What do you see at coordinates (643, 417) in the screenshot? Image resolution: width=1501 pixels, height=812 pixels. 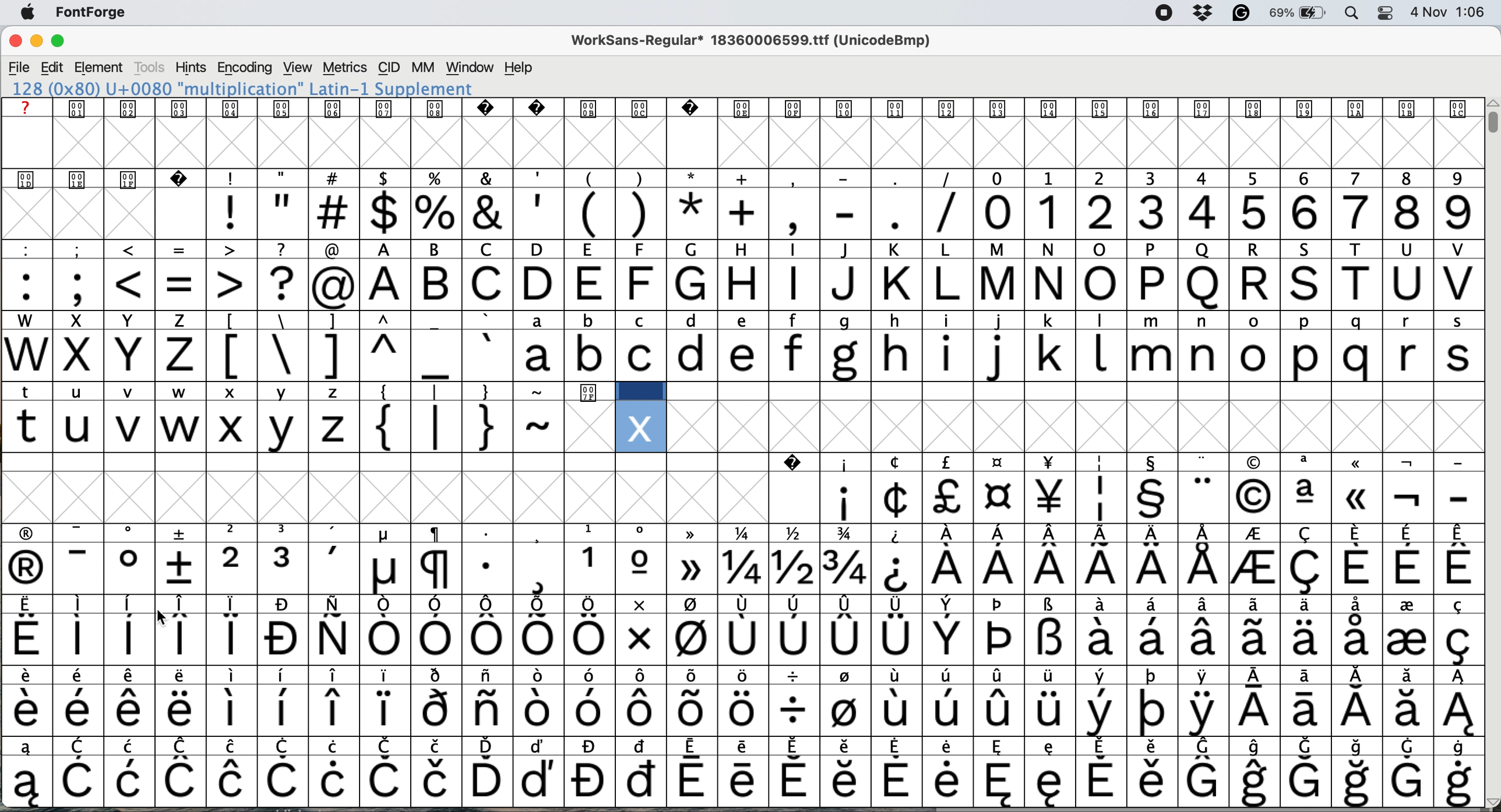 I see `new multiplication glyph added` at bounding box center [643, 417].